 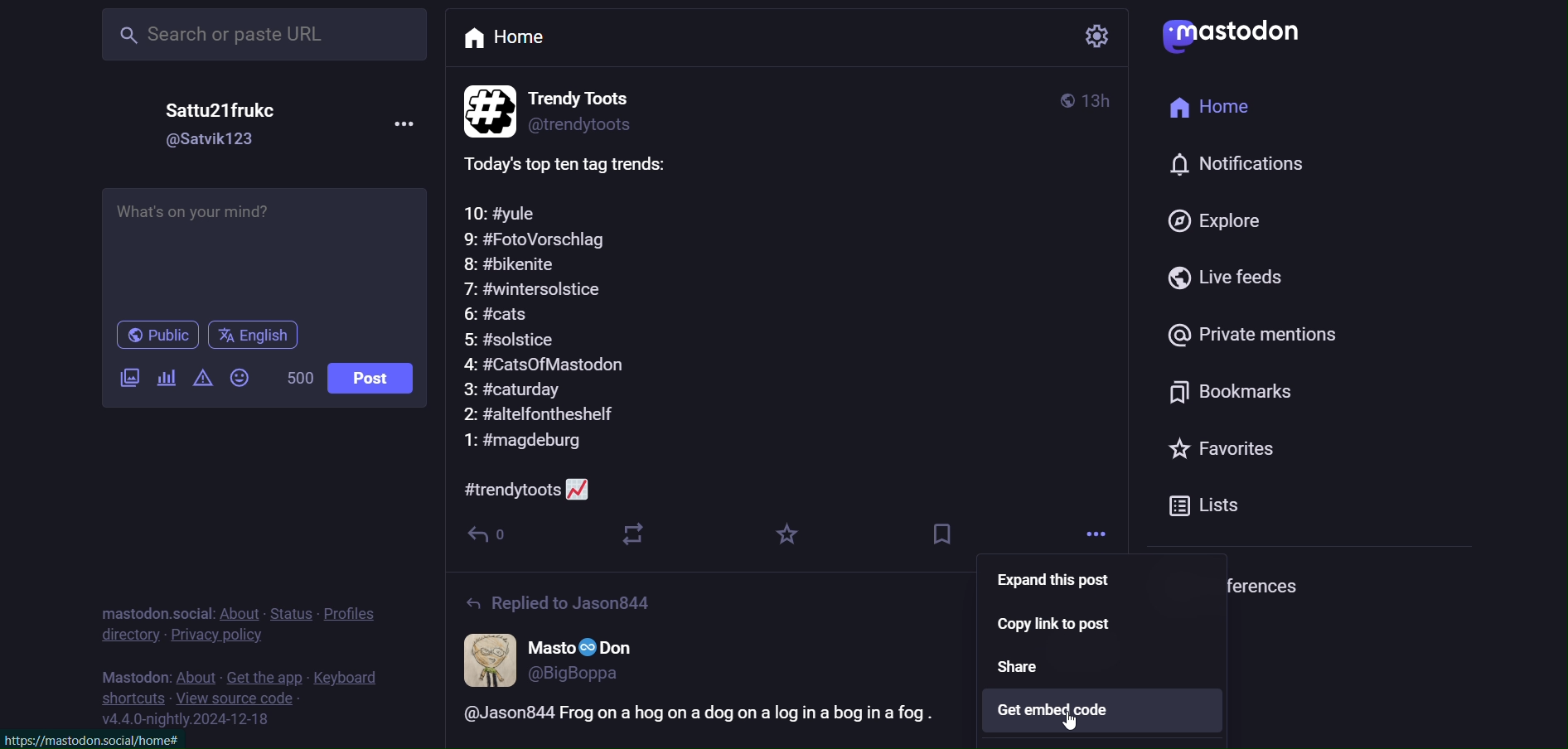 I want to click on home, so click(x=546, y=42).